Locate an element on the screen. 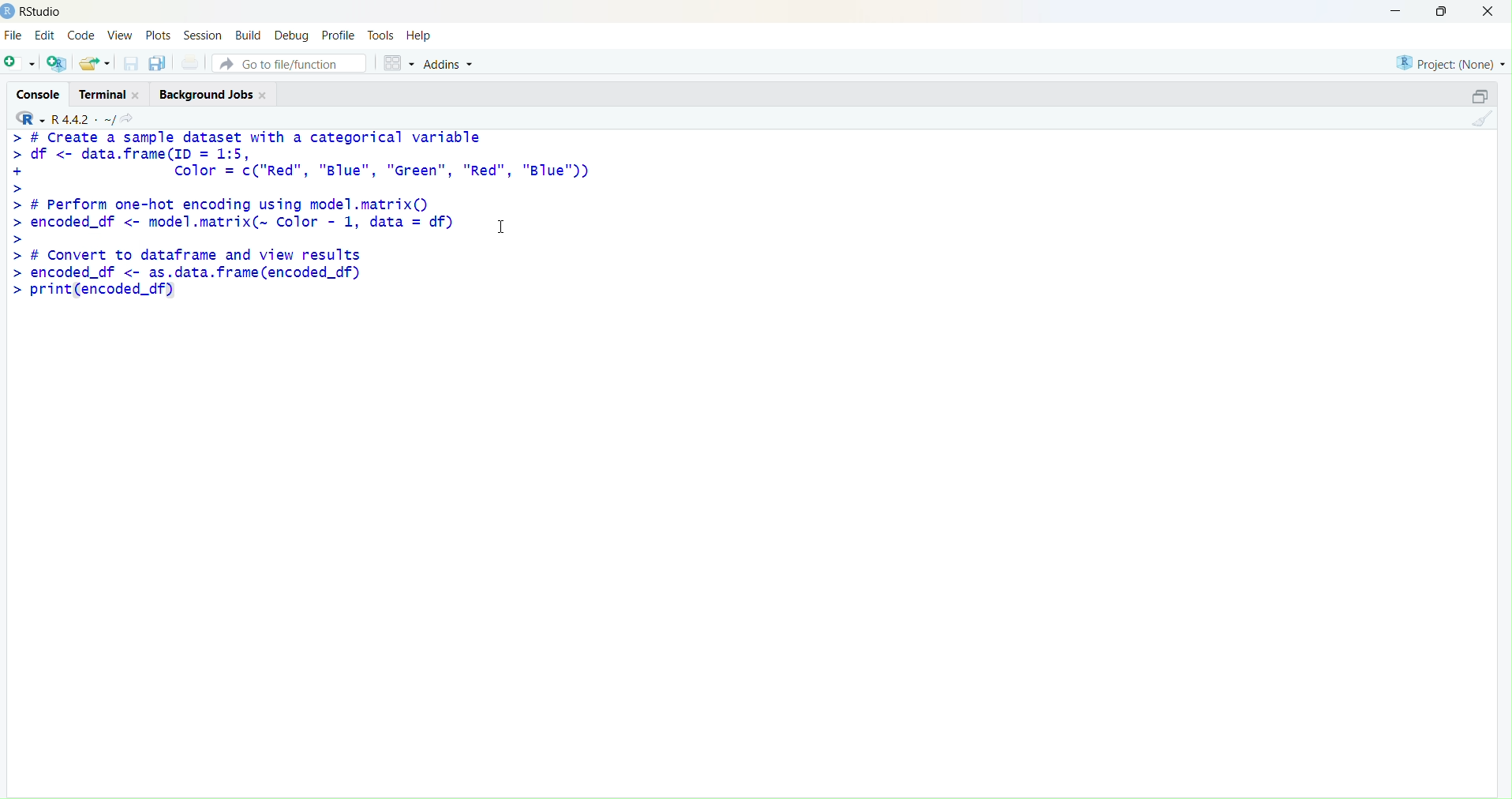  tools is located at coordinates (381, 36).